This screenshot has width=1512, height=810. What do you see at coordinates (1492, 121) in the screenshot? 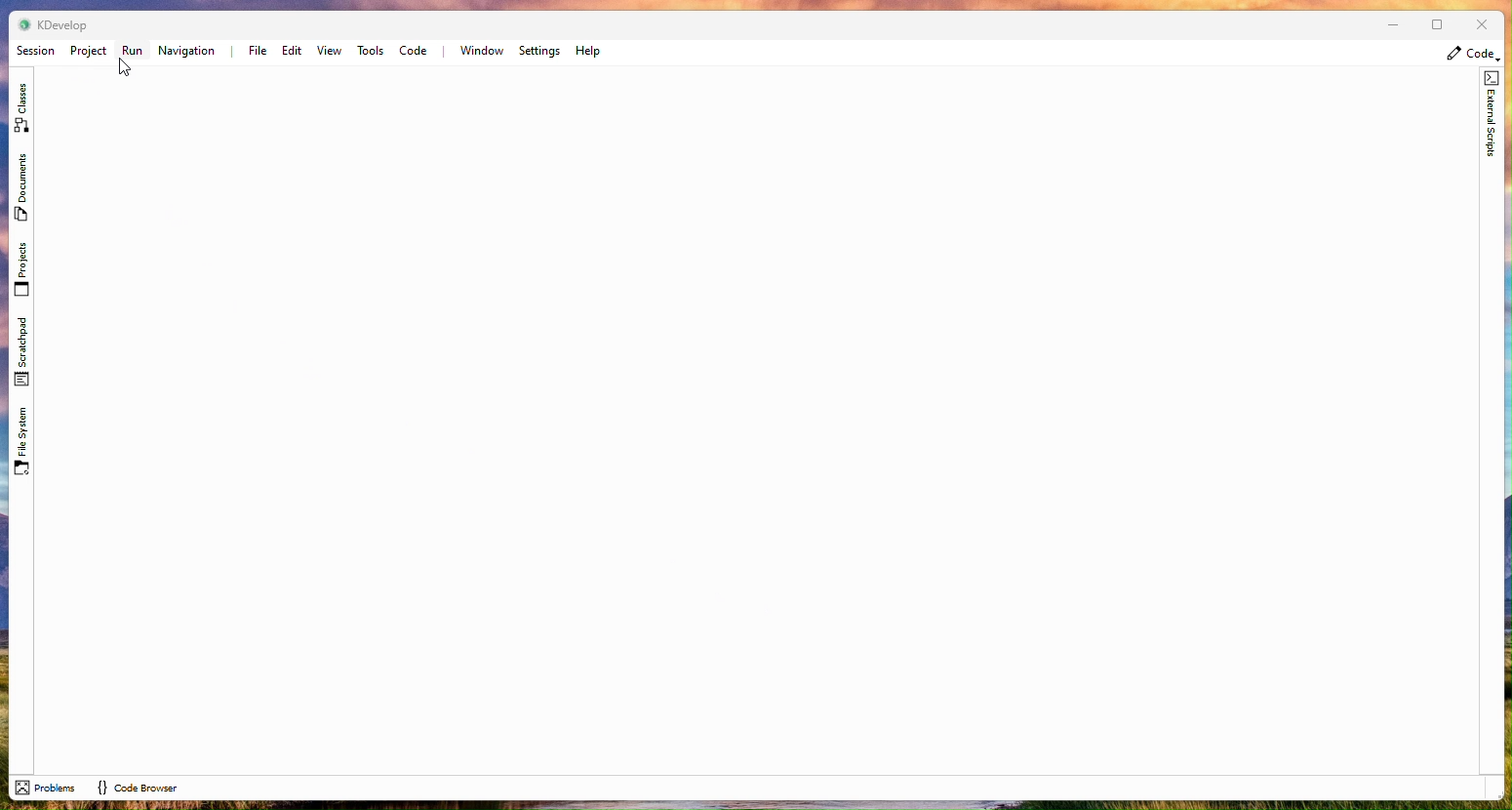
I see `External scripts` at bounding box center [1492, 121].